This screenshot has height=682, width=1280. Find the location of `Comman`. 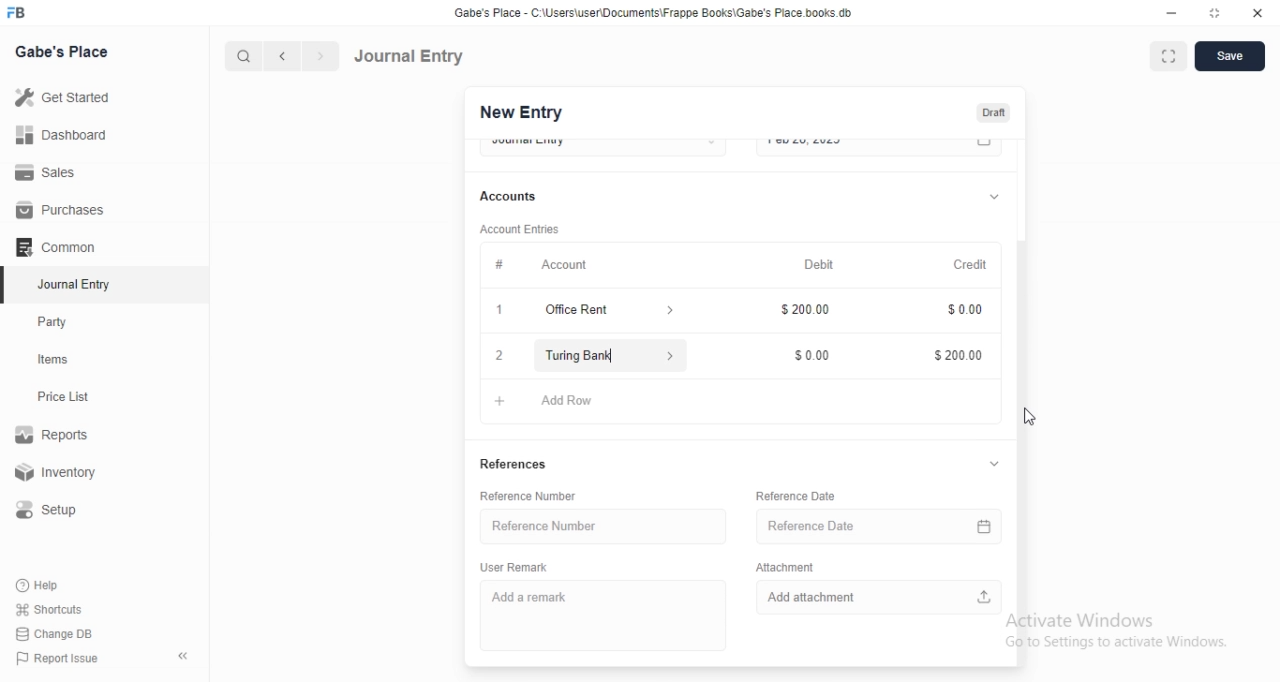

Comman is located at coordinates (49, 247).